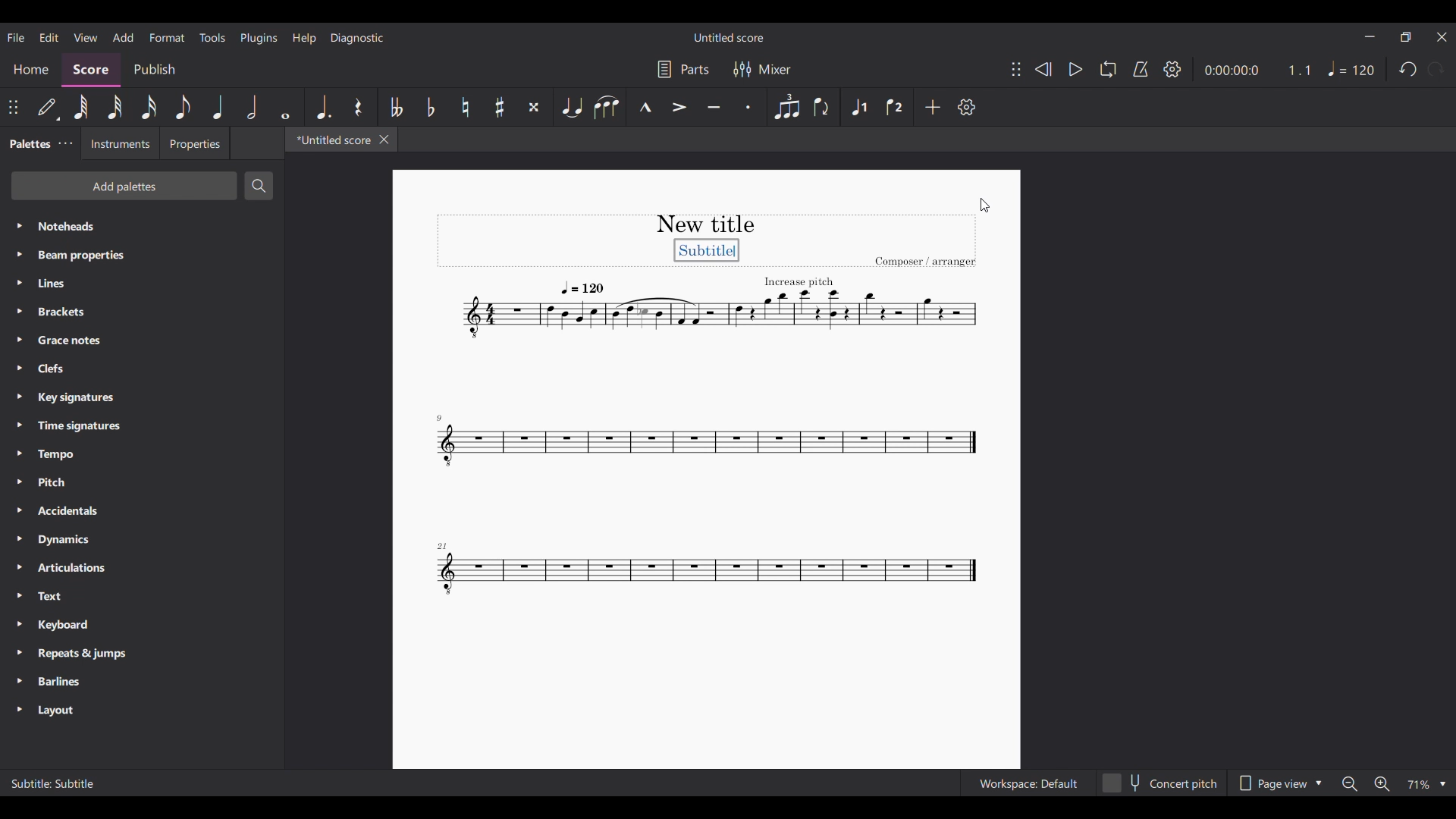  What do you see at coordinates (285, 107) in the screenshot?
I see `Whole note` at bounding box center [285, 107].